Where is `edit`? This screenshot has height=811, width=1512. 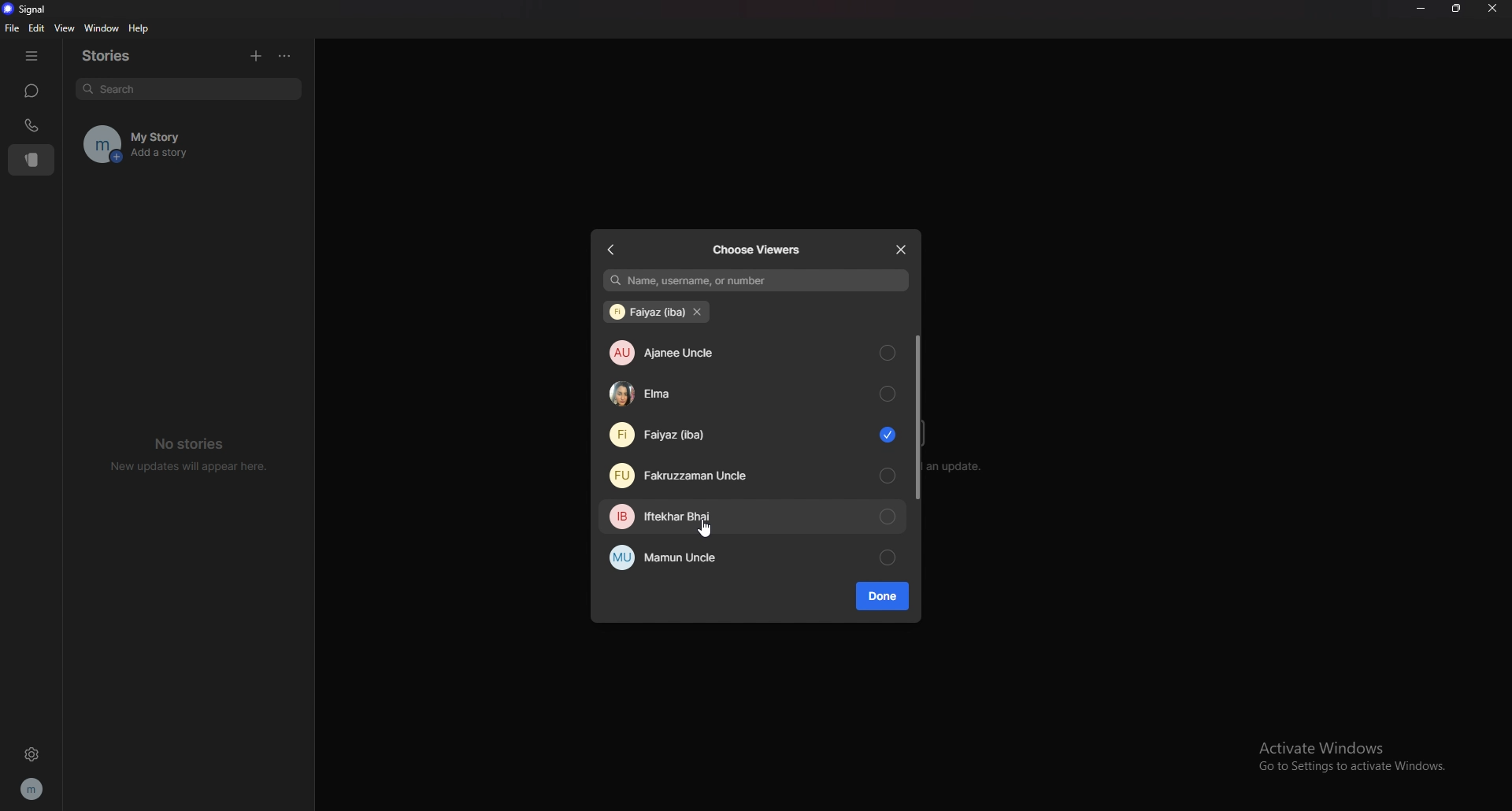
edit is located at coordinates (36, 28).